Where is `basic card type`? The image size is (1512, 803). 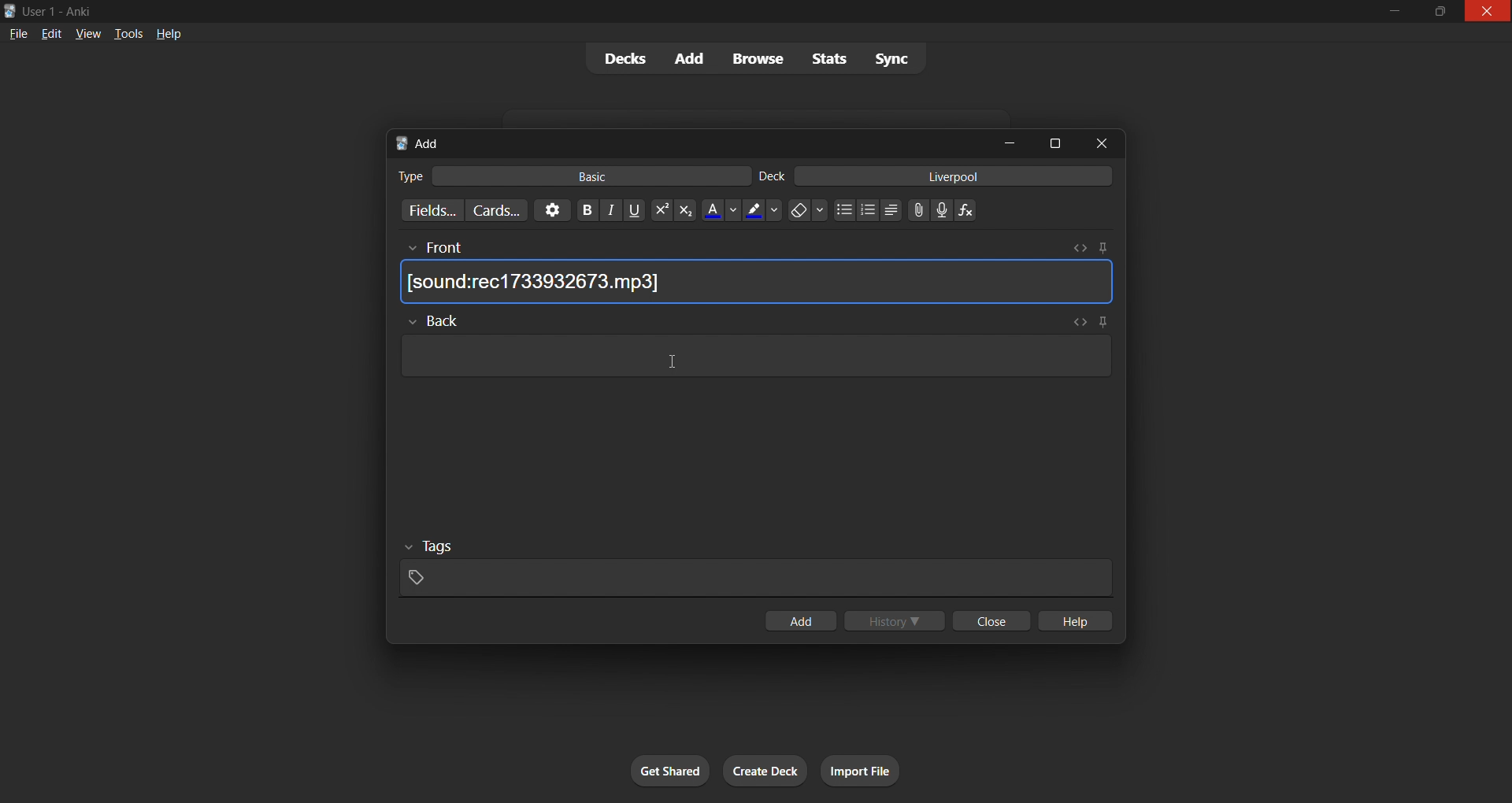 basic card type is located at coordinates (599, 176).